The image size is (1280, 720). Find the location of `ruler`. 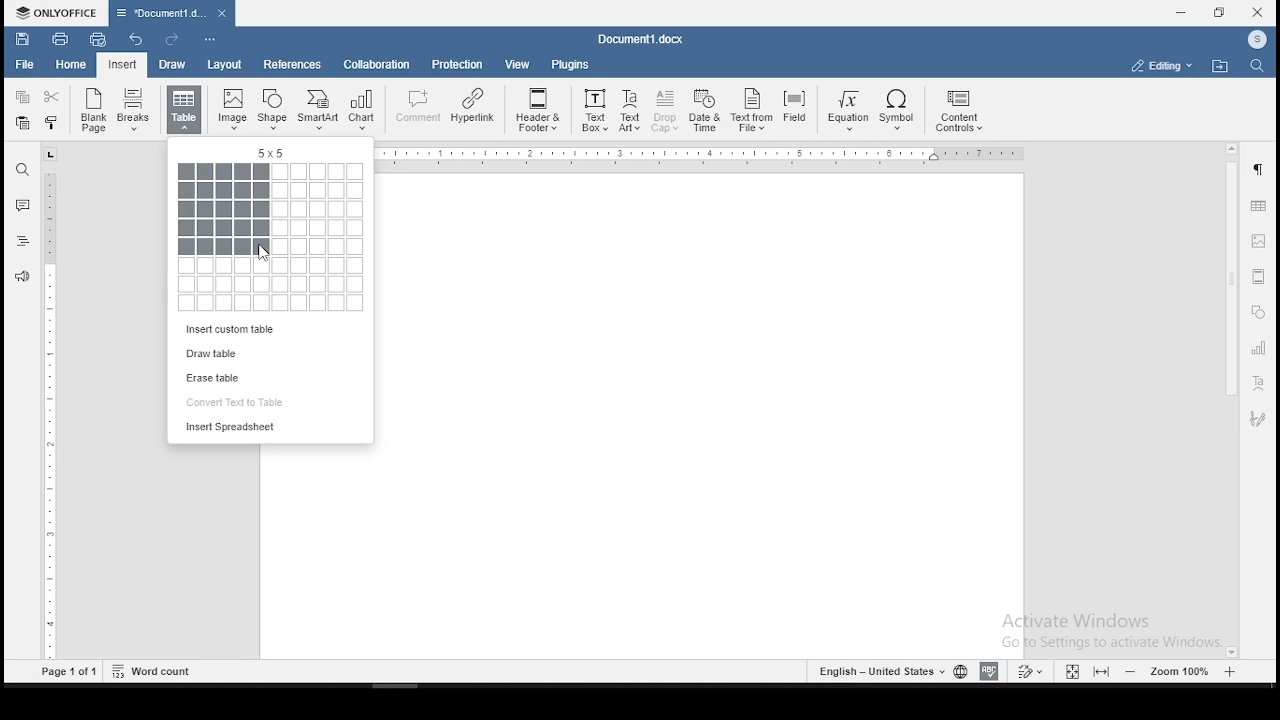

ruler is located at coordinates (53, 416).